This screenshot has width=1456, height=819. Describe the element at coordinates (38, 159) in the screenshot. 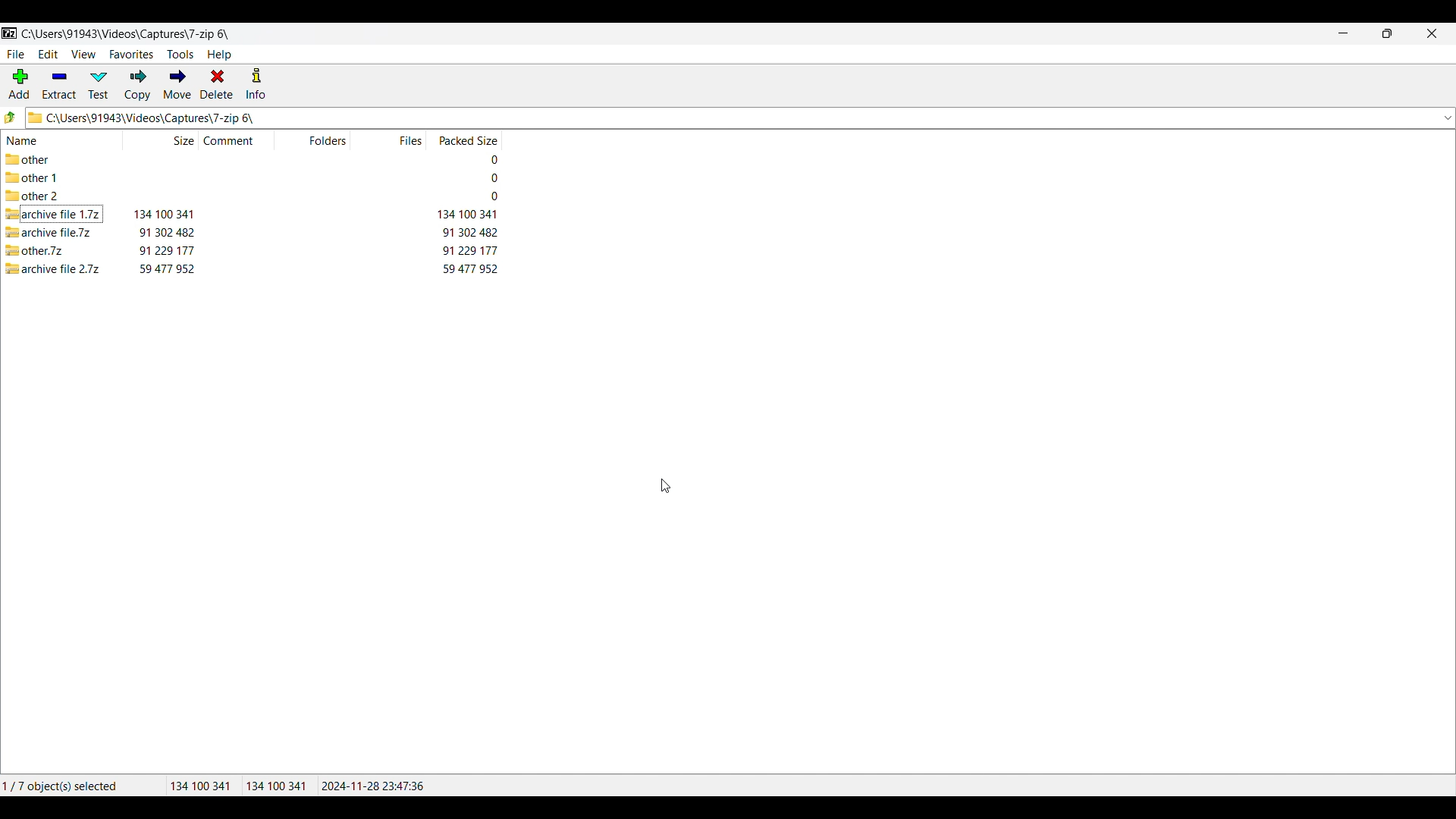

I see `other ` at that location.